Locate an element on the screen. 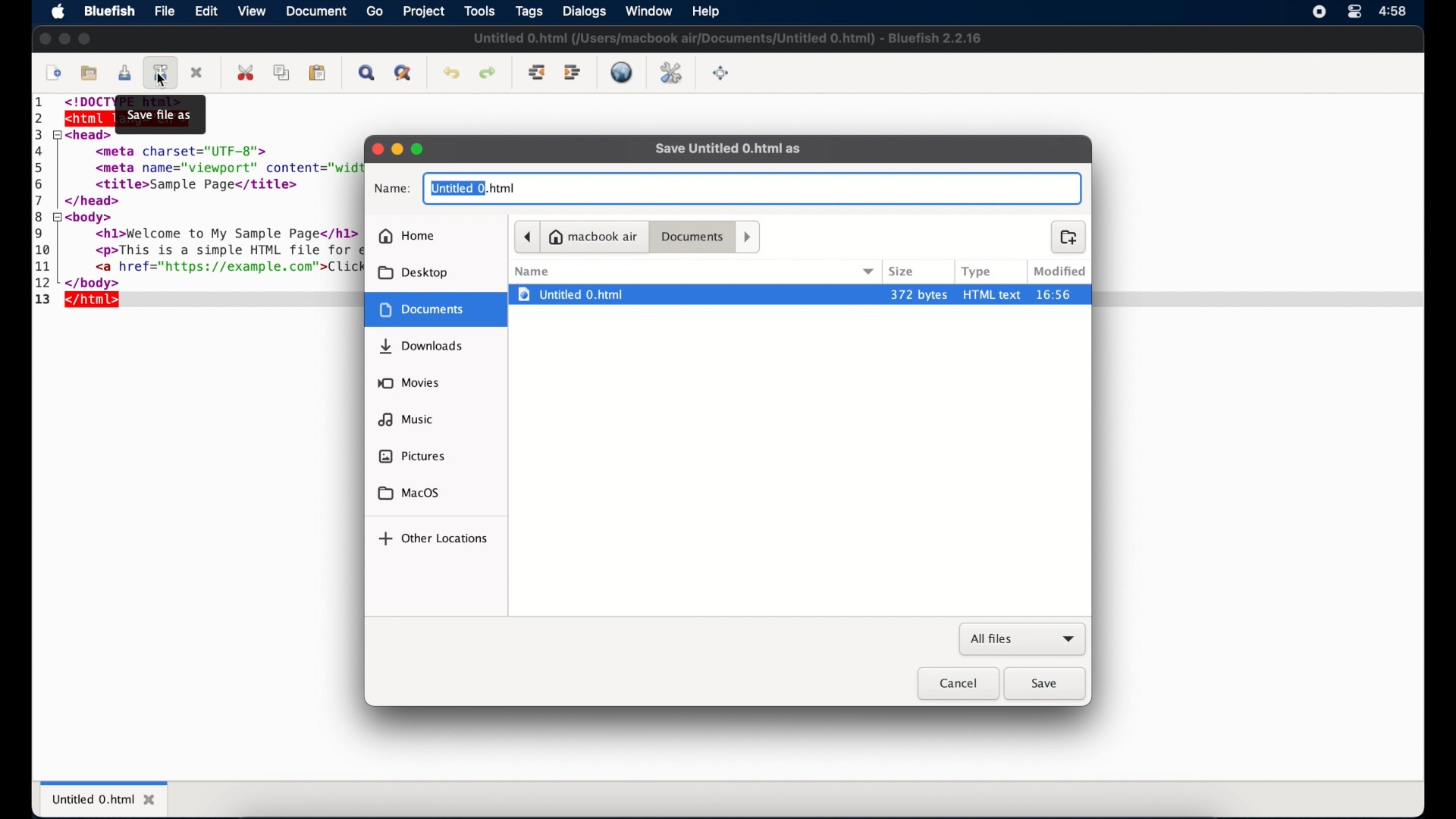 Image resolution: width=1456 pixels, height=819 pixels. untitled 0.html is located at coordinates (105, 798).